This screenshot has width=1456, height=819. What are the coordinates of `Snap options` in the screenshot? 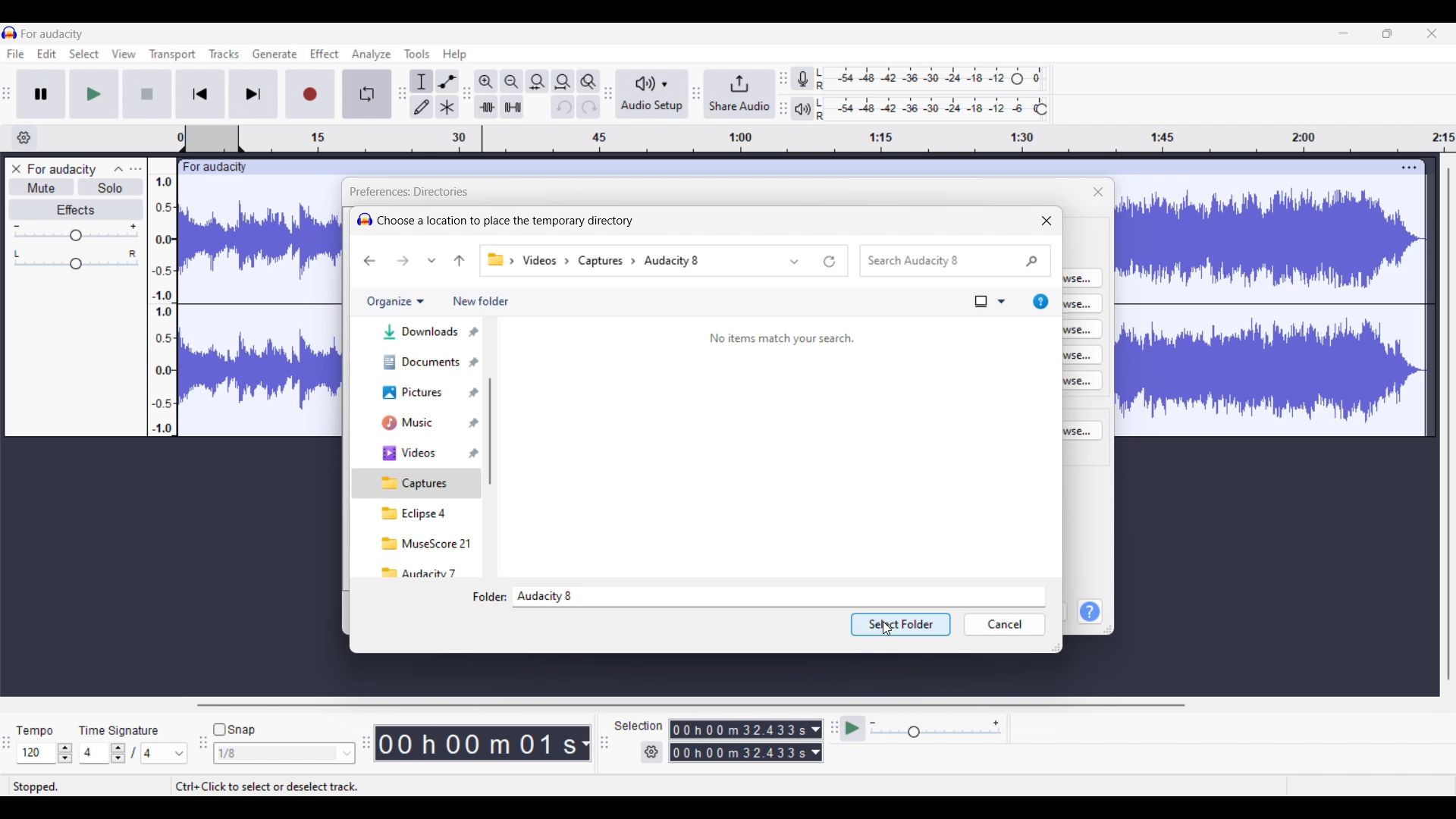 It's located at (284, 753).